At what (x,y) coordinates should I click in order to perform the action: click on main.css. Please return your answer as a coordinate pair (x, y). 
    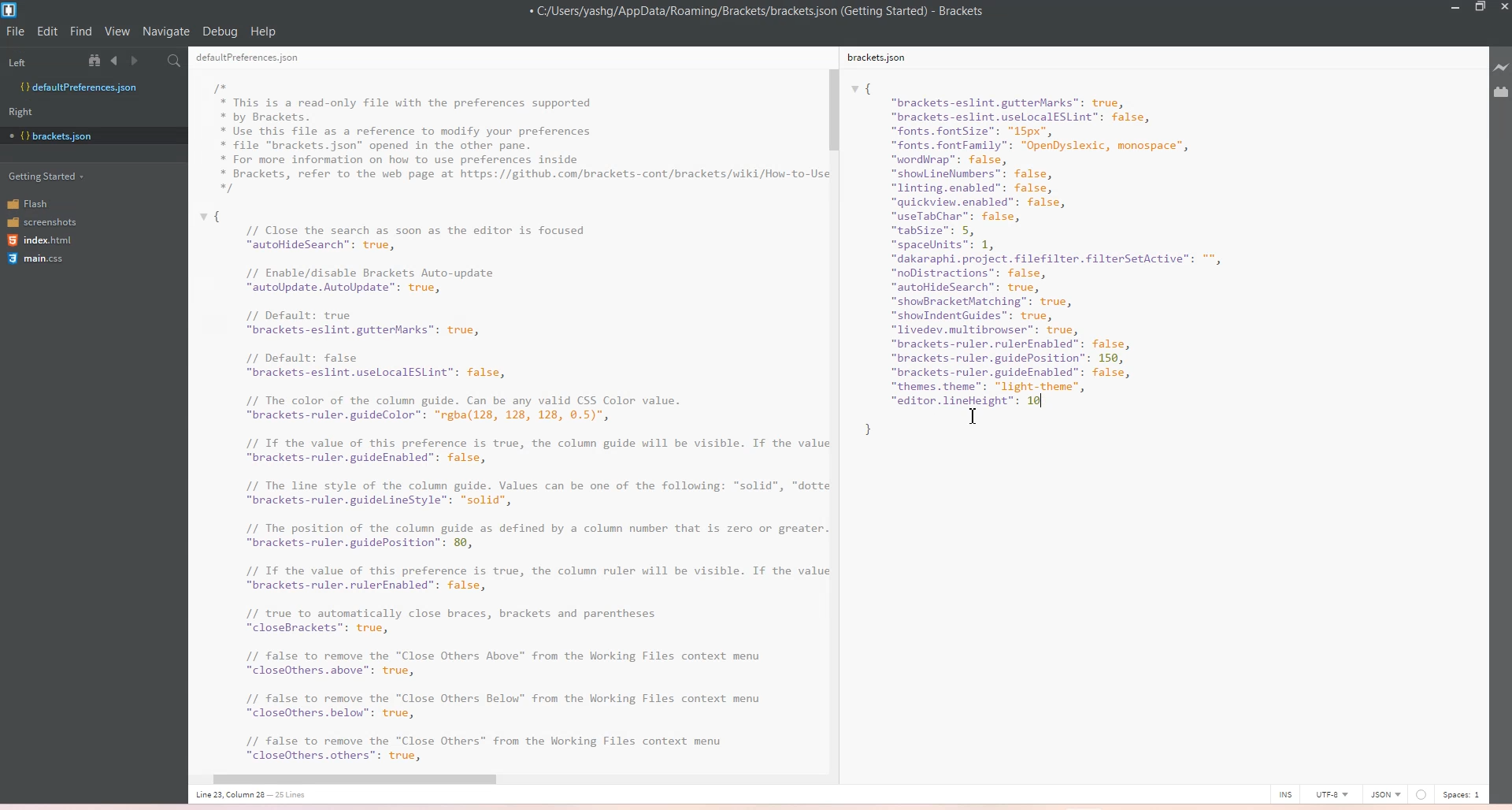
    Looking at the image, I should click on (39, 261).